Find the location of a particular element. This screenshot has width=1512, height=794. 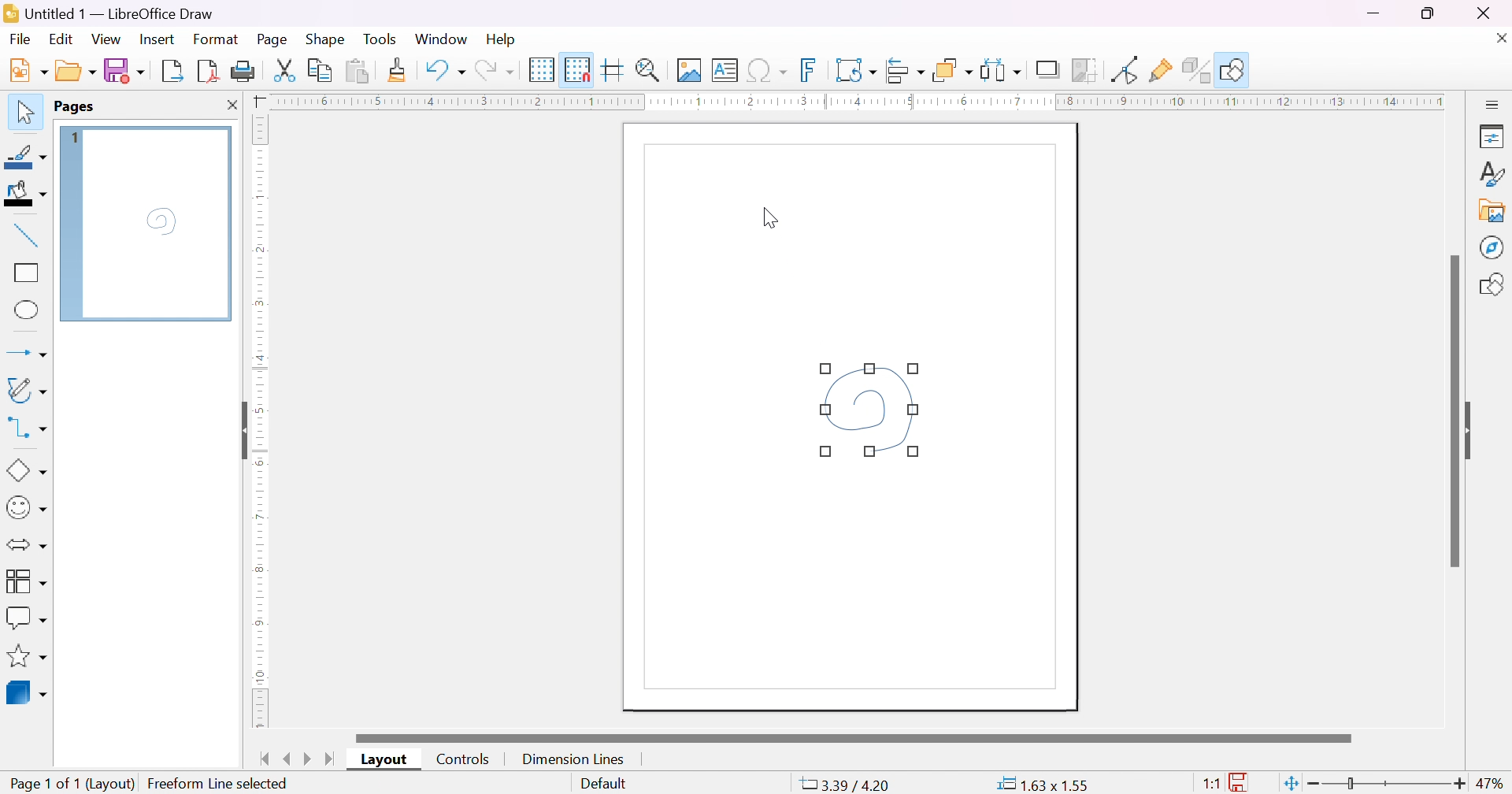

insert is located at coordinates (156, 39).